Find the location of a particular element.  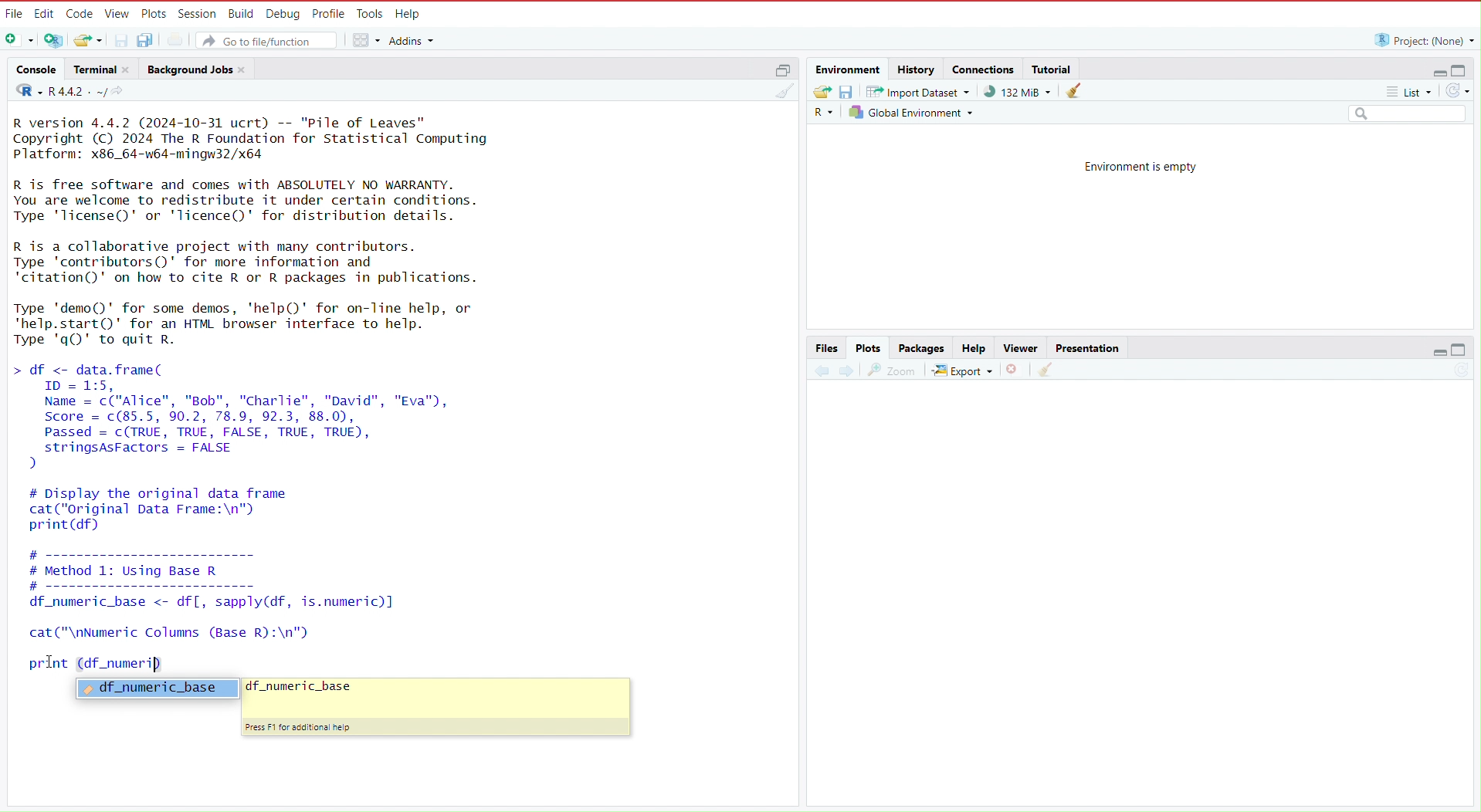

refresh the list of objects in the environment is located at coordinates (1462, 91).